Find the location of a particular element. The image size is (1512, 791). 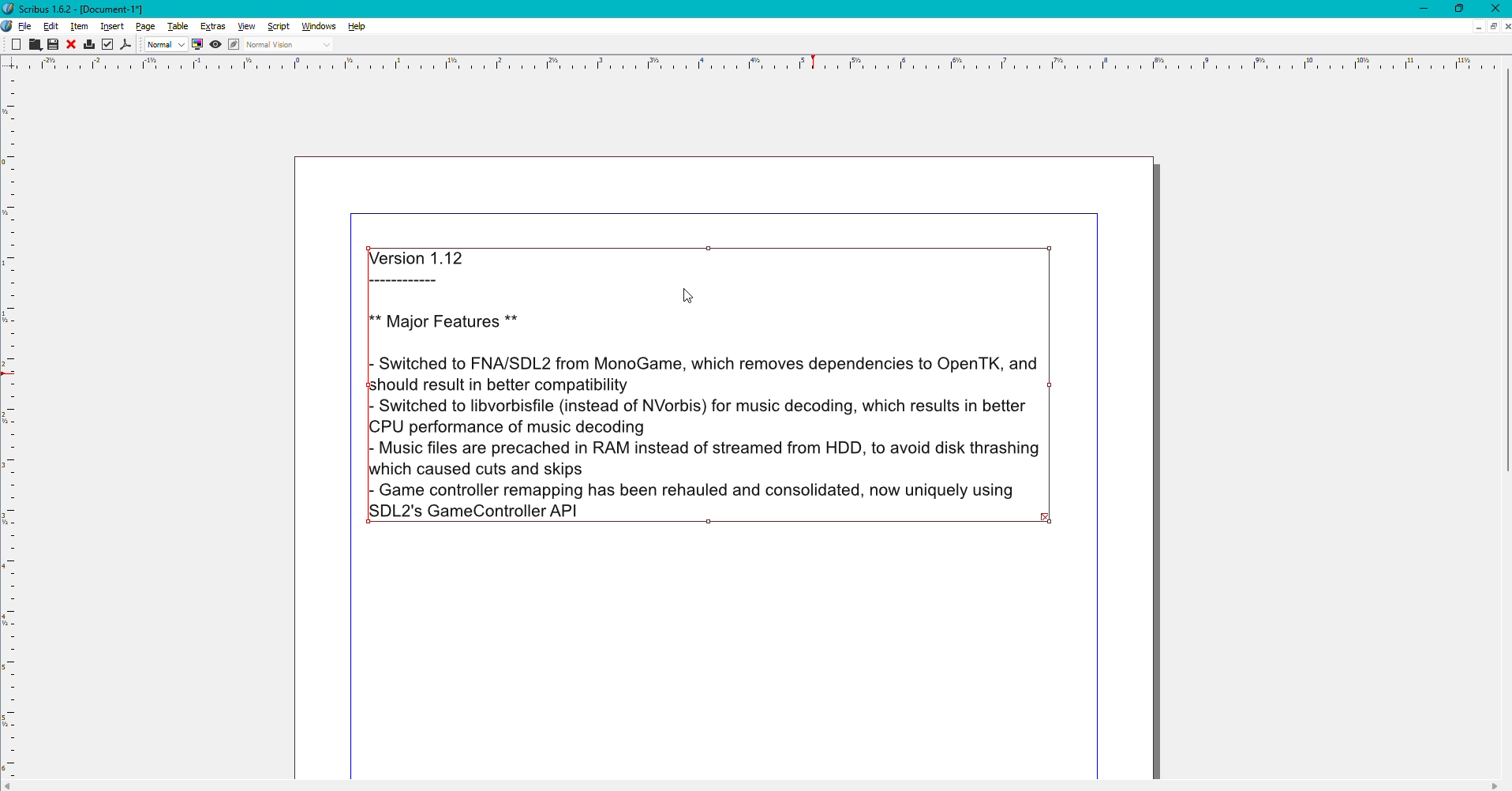

File is located at coordinates (24, 26).